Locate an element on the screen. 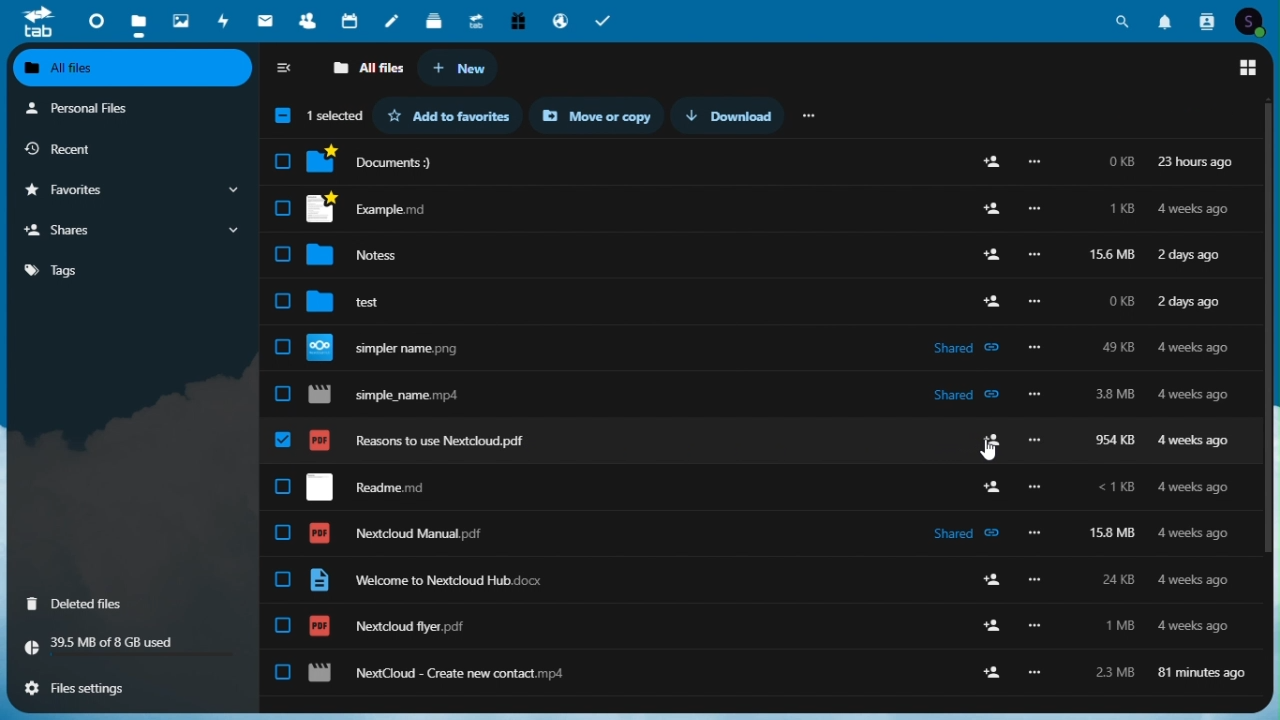  2.3 mb is located at coordinates (1109, 671).